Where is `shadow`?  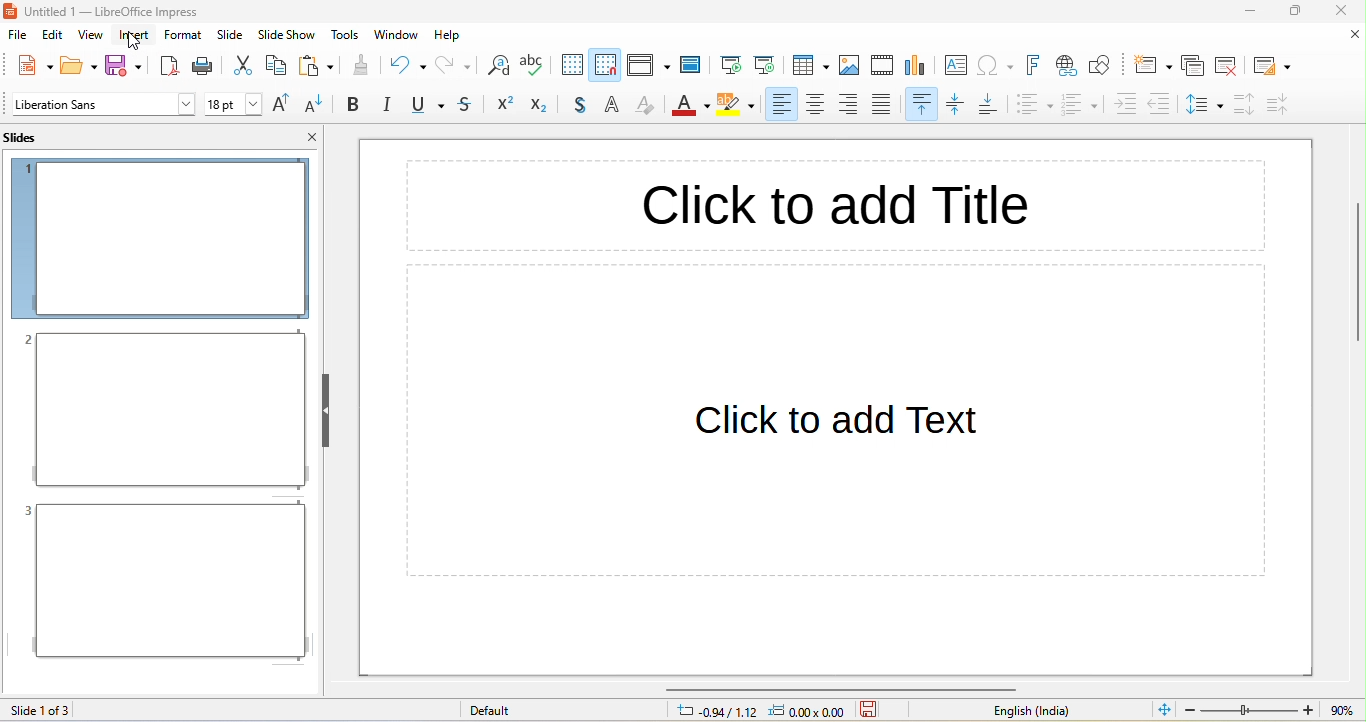
shadow is located at coordinates (583, 106).